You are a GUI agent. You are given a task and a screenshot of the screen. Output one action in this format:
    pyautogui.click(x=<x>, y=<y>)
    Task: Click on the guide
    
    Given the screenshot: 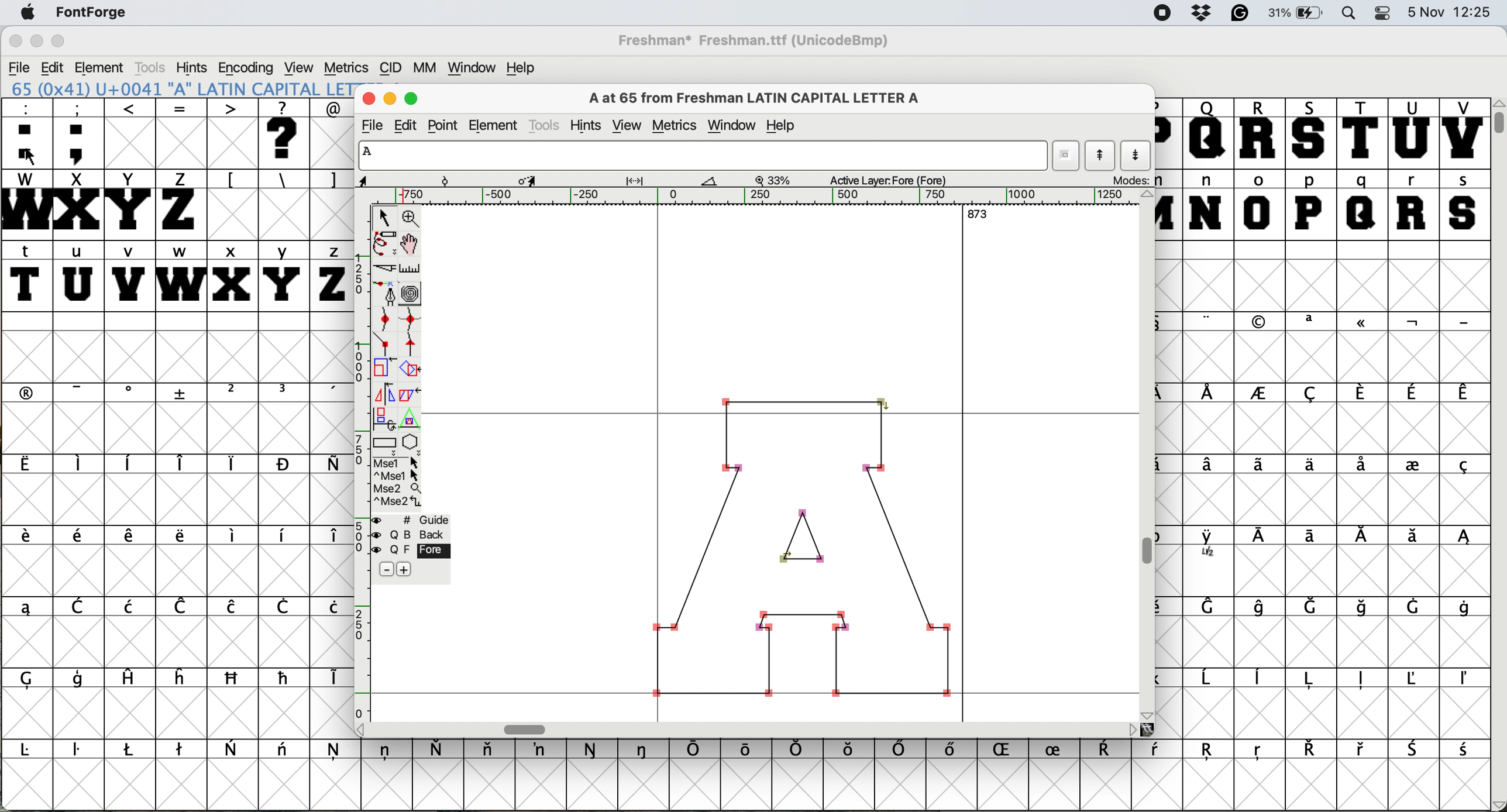 What is the action you would take?
    pyautogui.click(x=411, y=522)
    